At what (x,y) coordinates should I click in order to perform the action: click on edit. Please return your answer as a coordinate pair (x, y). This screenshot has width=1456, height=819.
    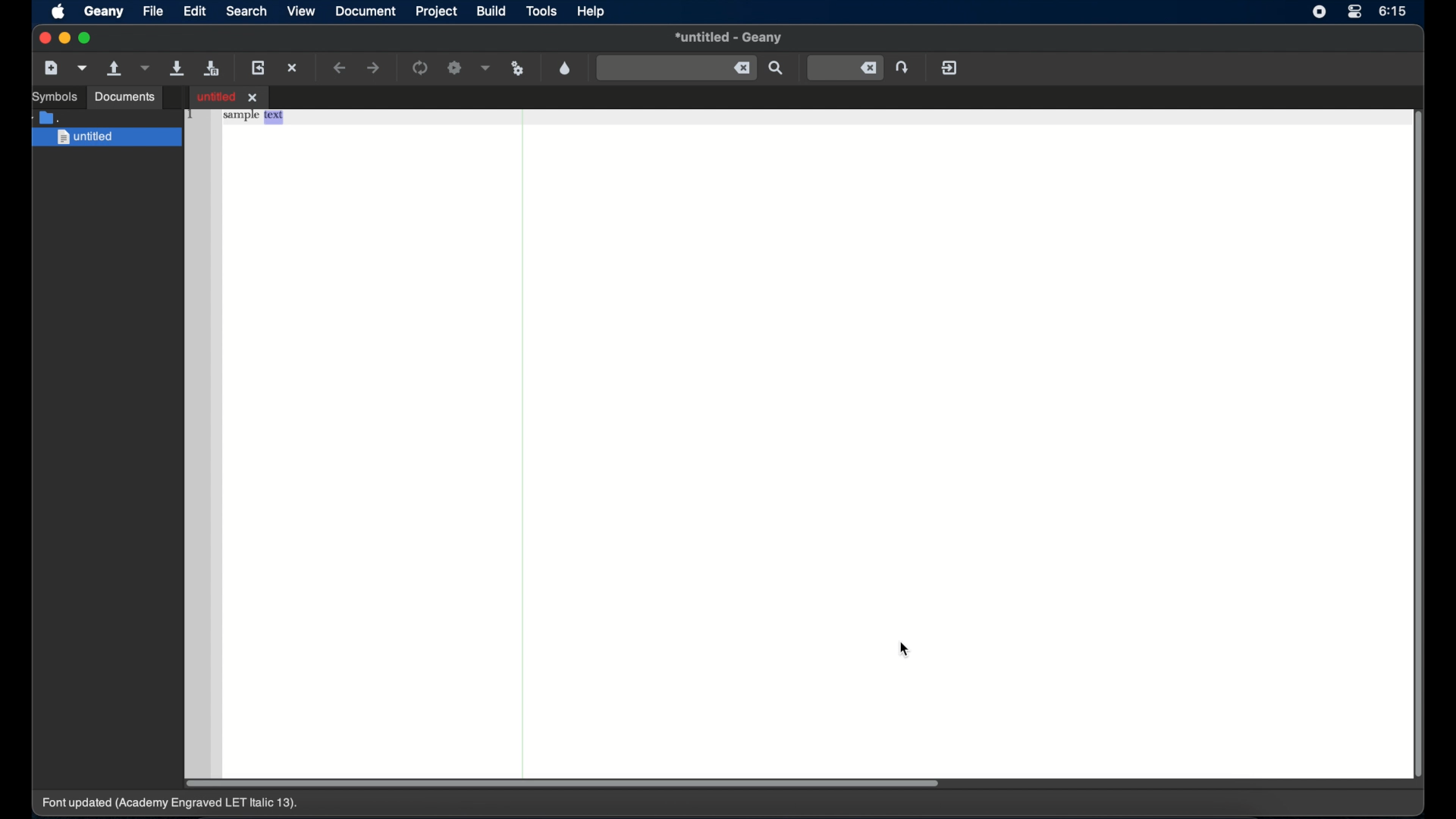
    Looking at the image, I should click on (196, 11).